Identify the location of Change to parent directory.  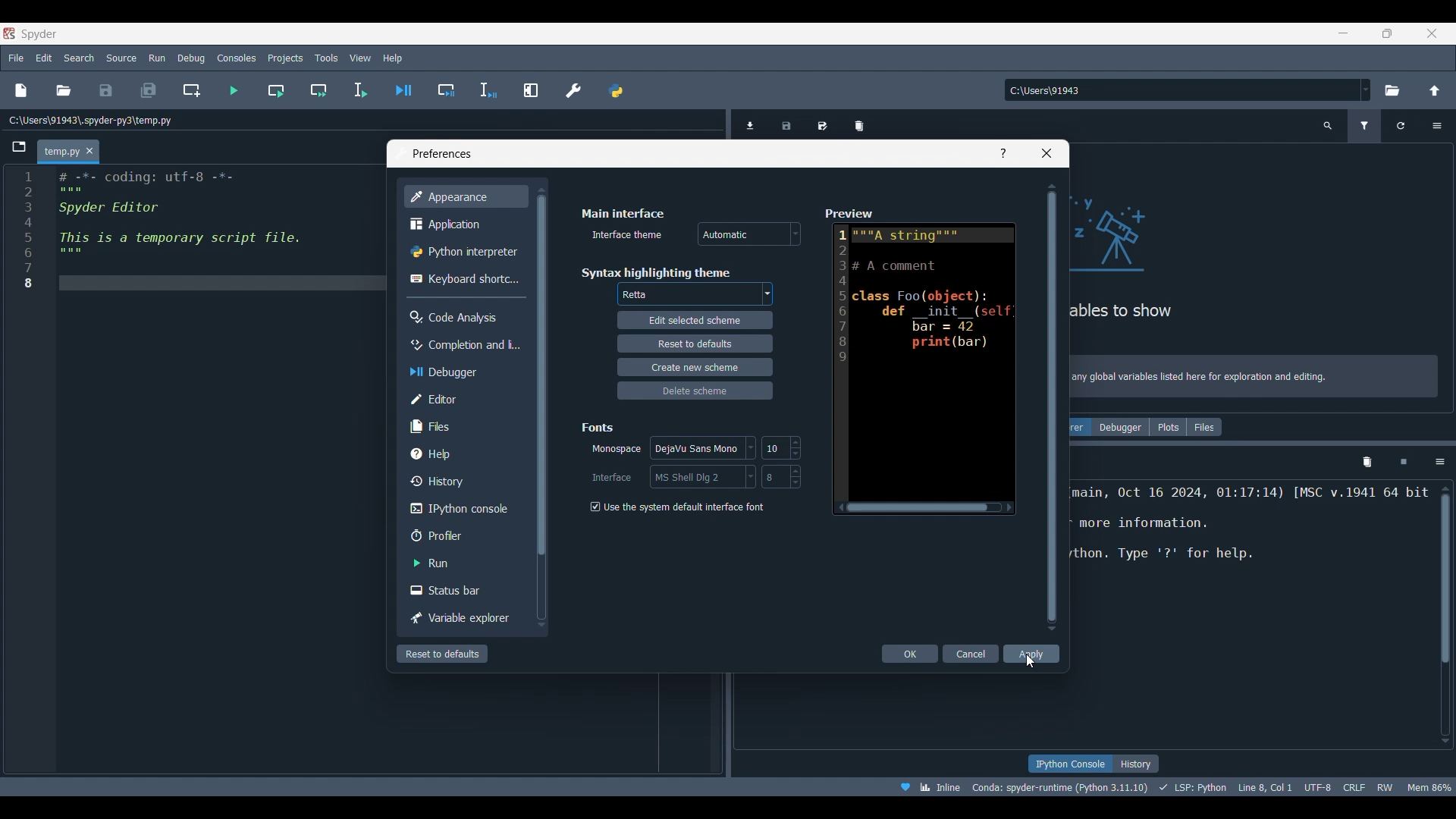
(1435, 90).